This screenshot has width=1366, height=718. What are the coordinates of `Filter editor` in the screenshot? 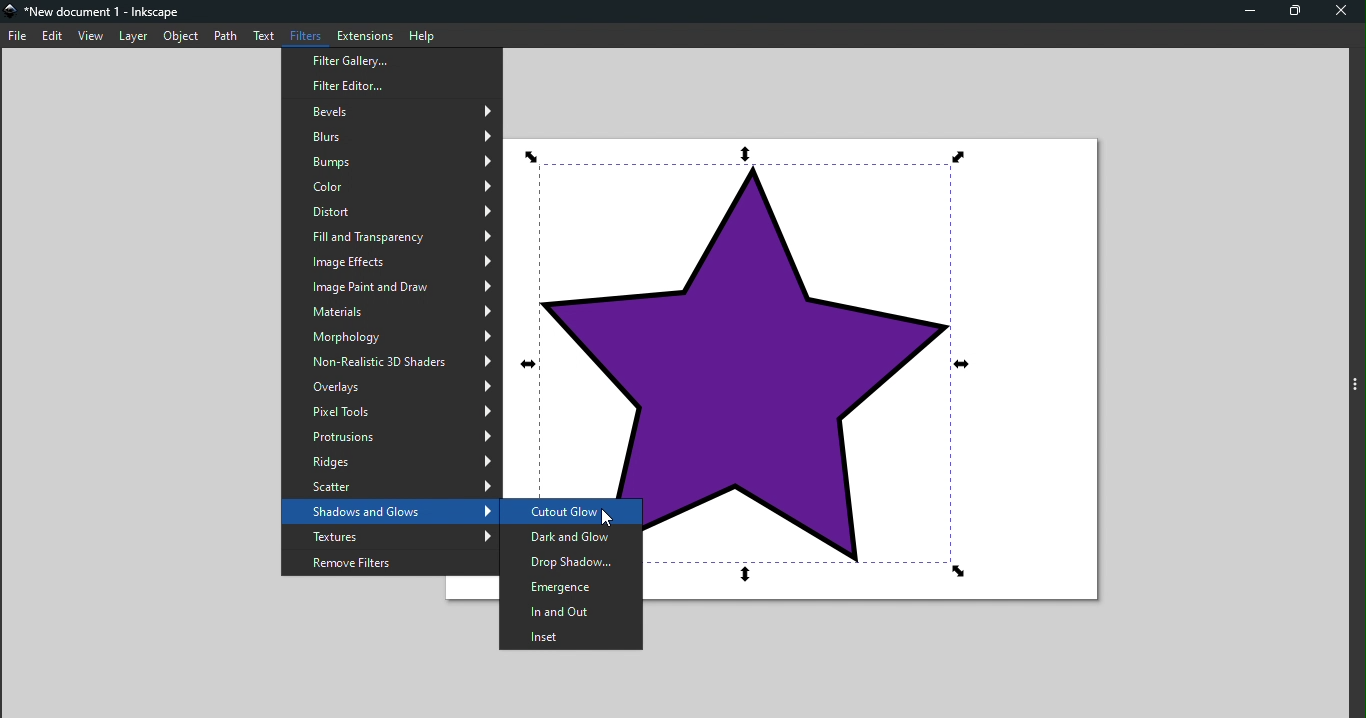 It's located at (389, 86).